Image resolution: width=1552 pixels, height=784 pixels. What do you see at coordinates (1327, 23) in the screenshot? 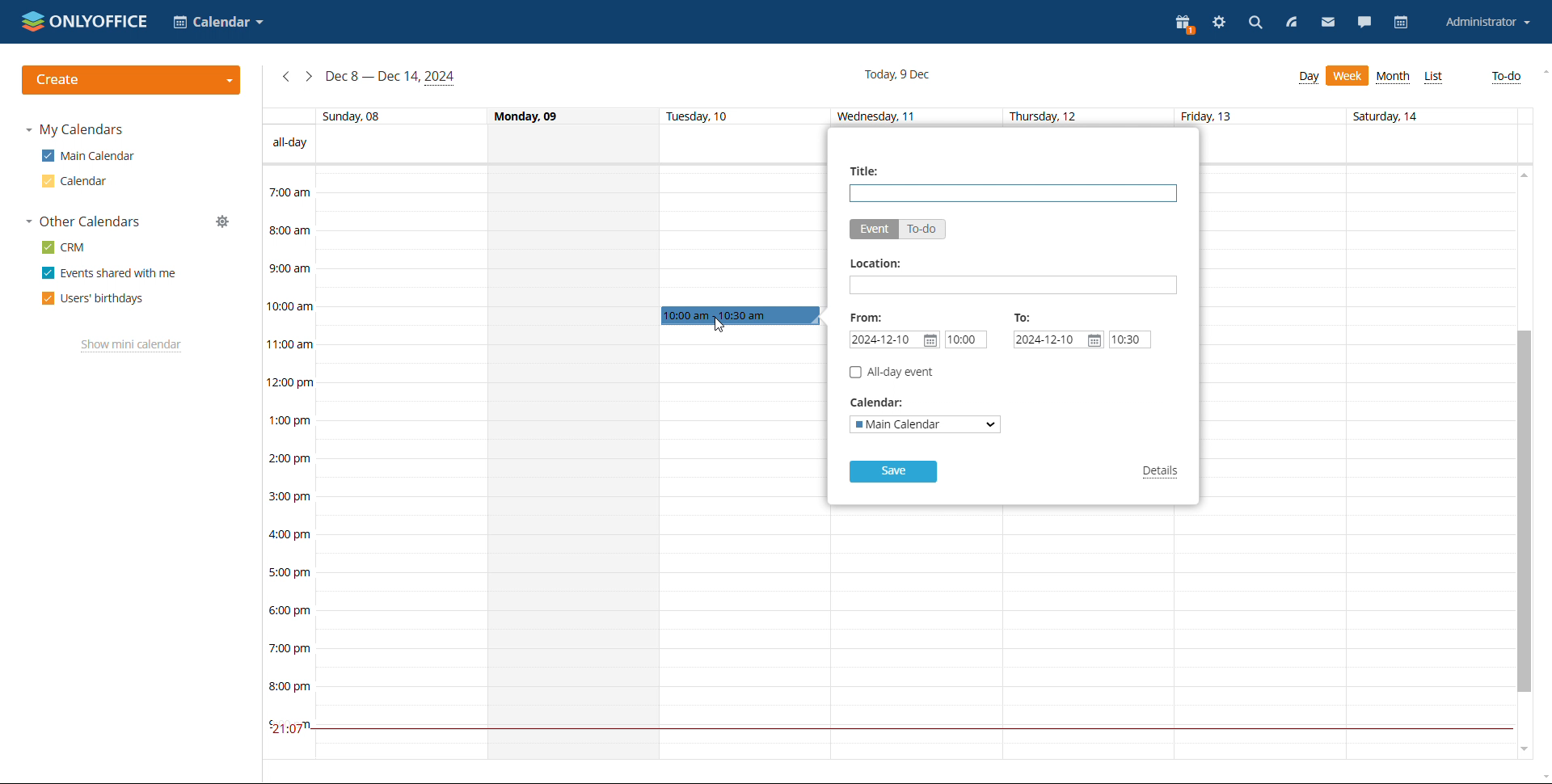
I see `mail` at bounding box center [1327, 23].